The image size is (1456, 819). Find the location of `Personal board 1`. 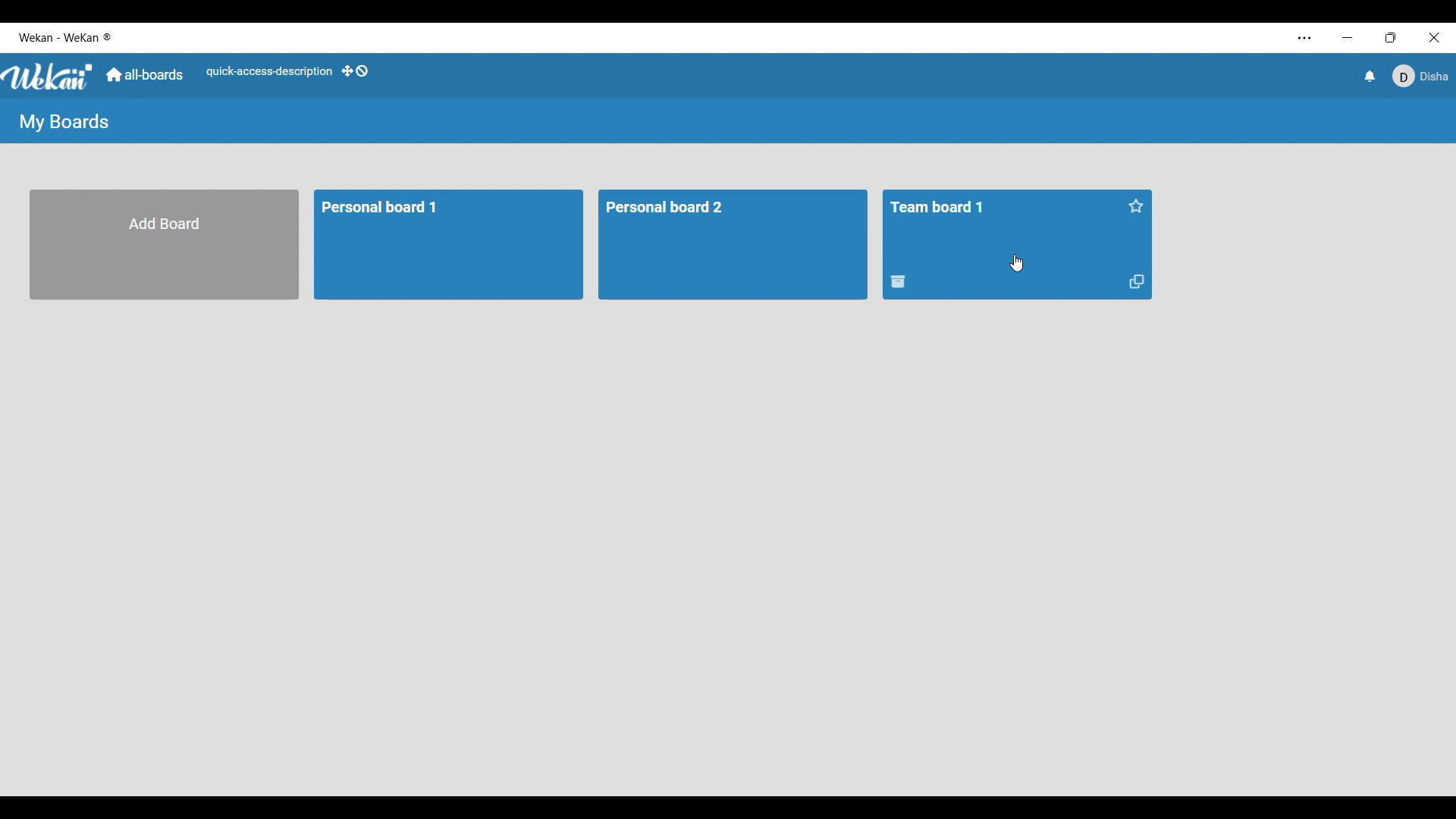

Personal board 1 is located at coordinates (388, 212).